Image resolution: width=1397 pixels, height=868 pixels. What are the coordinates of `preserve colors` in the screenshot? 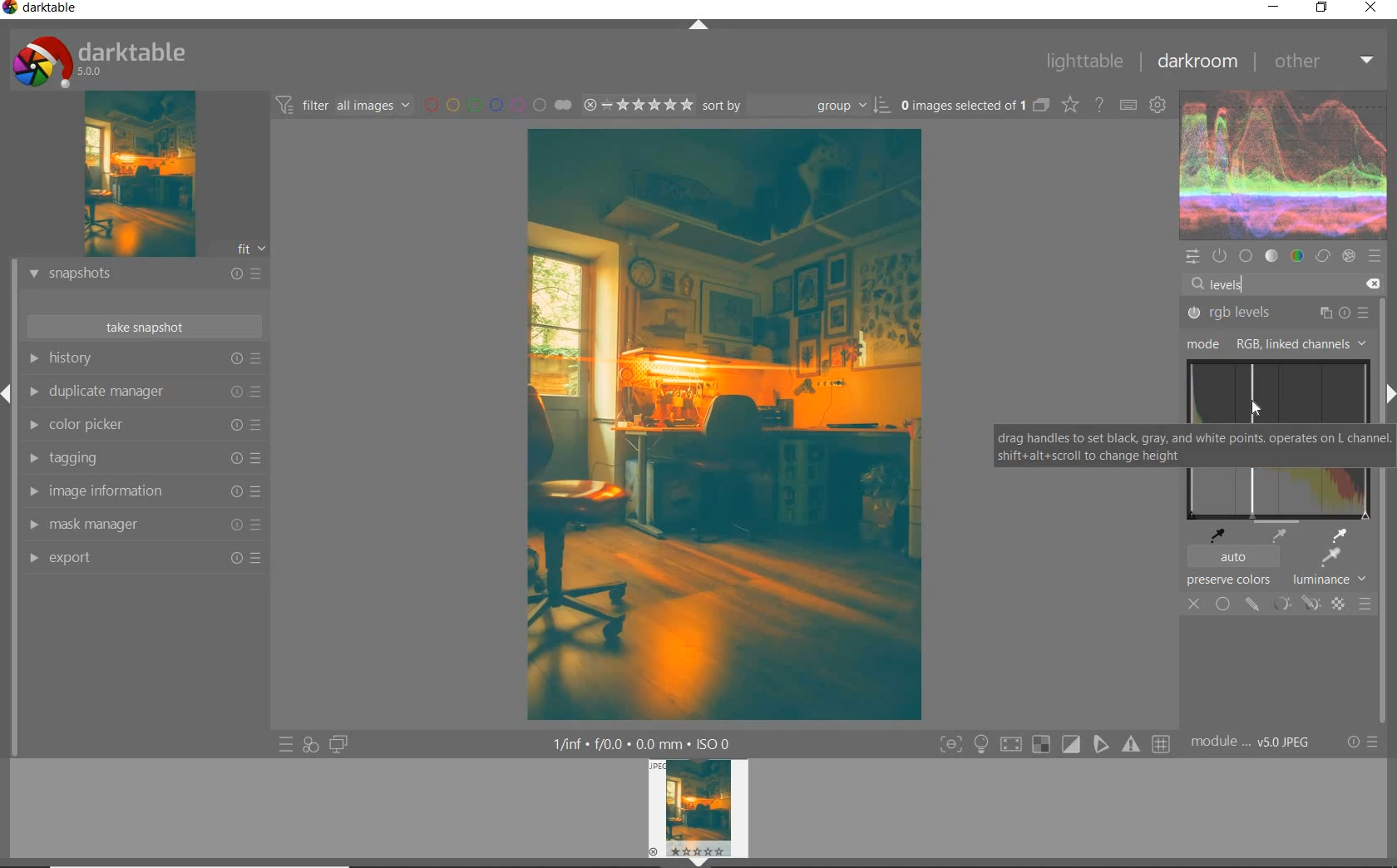 It's located at (1229, 581).